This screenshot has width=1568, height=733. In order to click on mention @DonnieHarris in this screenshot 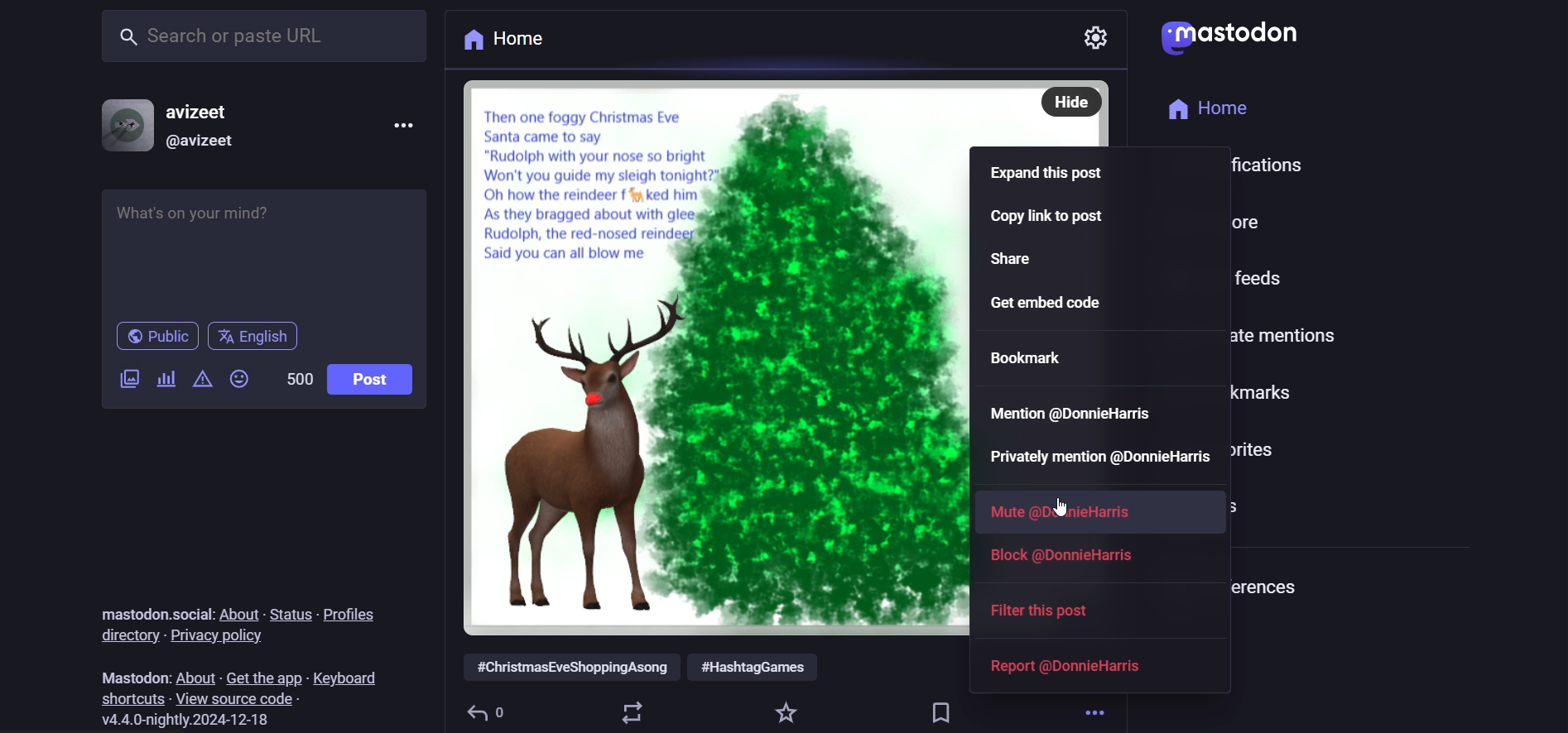, I will do `click(1077, 412)`.